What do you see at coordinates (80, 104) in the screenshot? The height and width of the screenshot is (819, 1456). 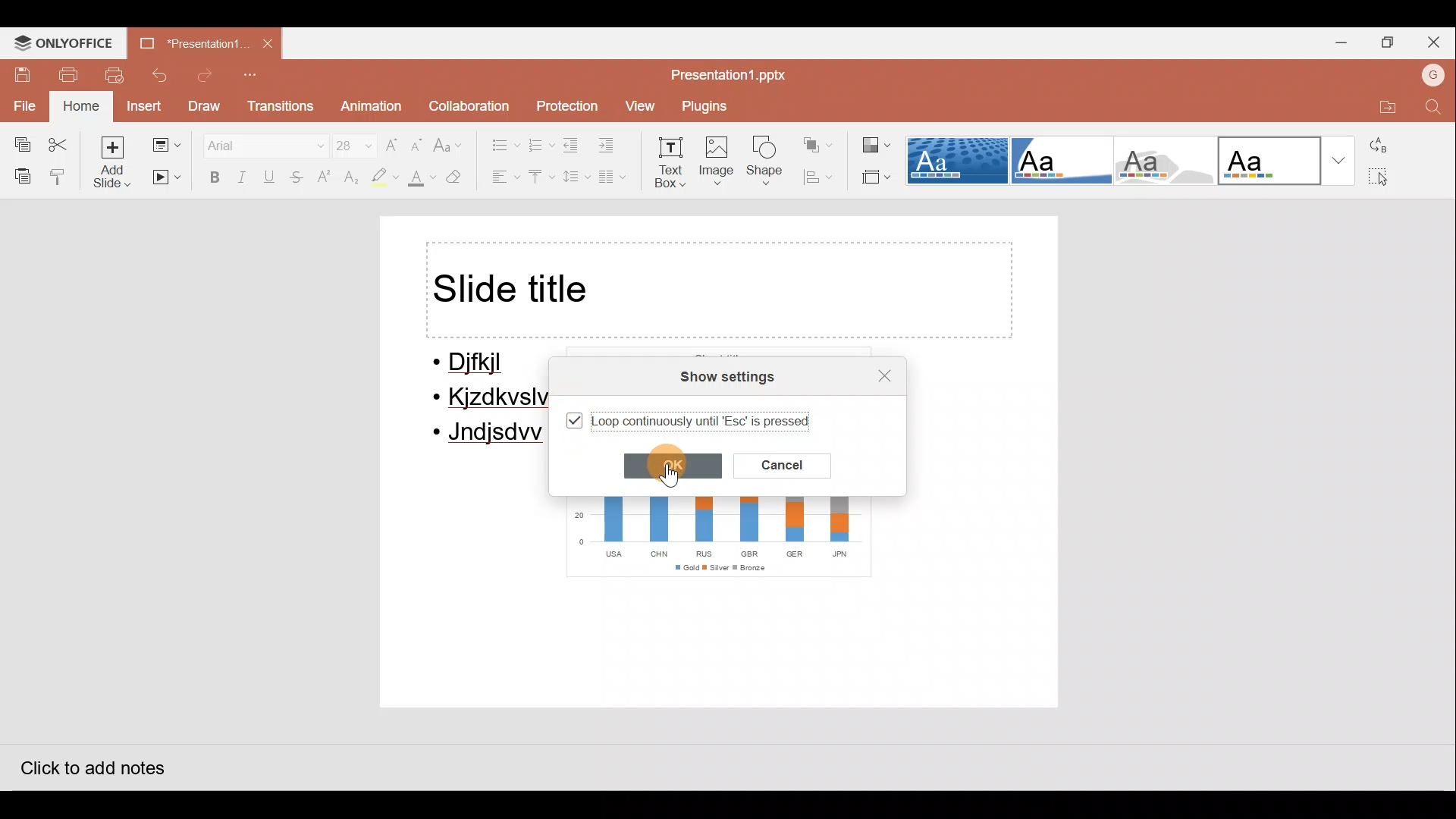 I see `Home` at bounding box center [80, 104].